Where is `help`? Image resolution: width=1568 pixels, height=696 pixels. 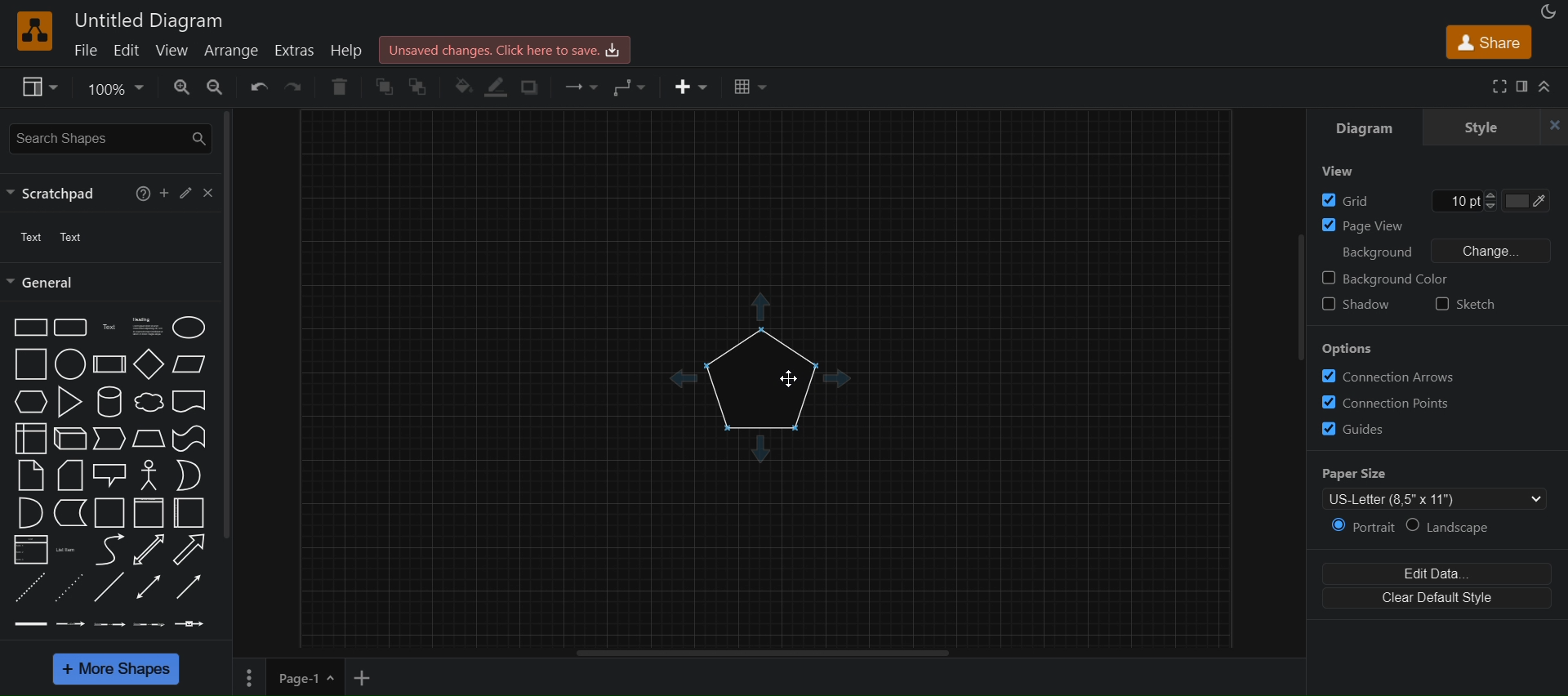
help is located at coordinates (346, 51).